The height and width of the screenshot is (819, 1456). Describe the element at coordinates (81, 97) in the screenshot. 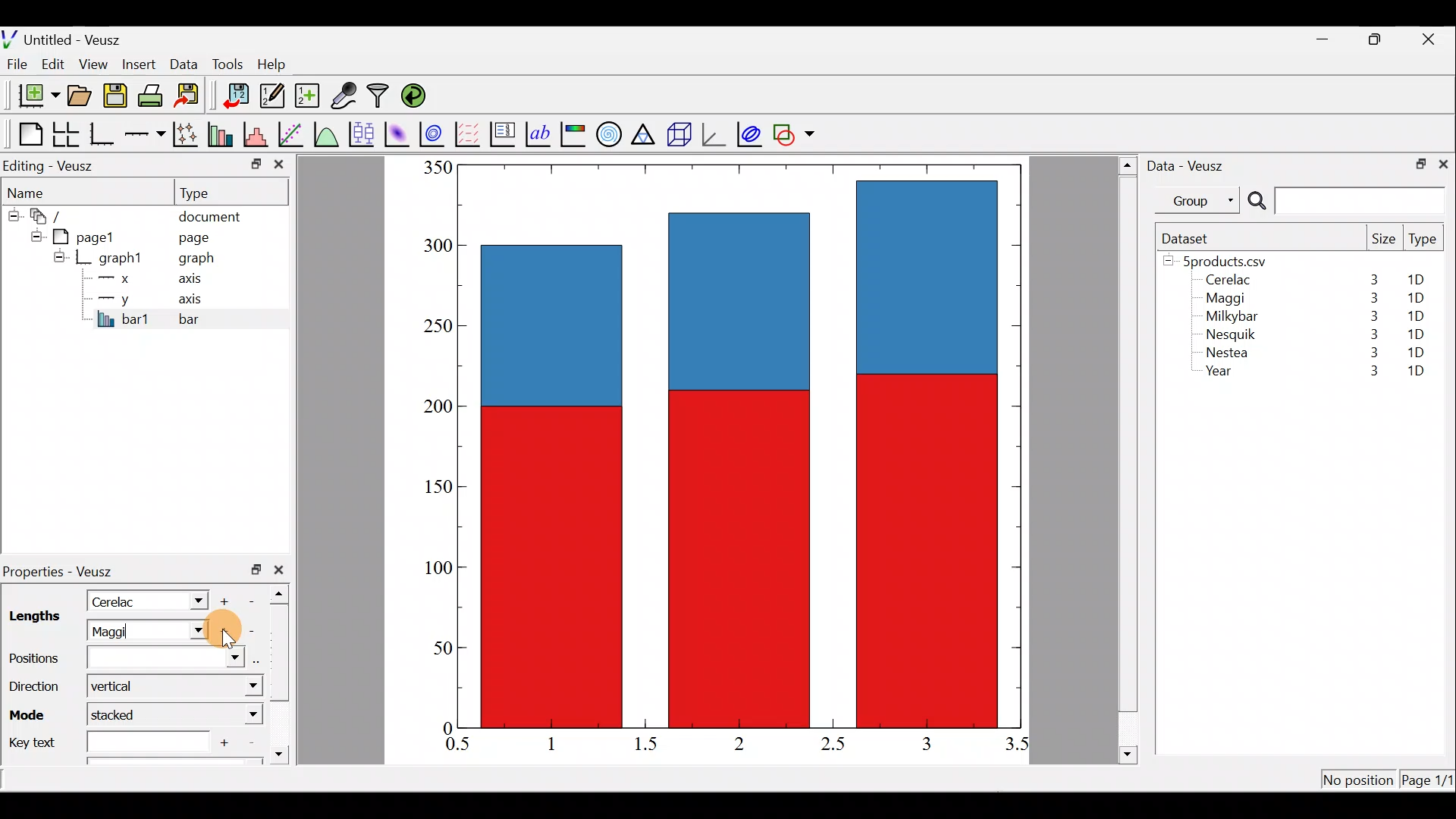

I see `Open a document` at that location.